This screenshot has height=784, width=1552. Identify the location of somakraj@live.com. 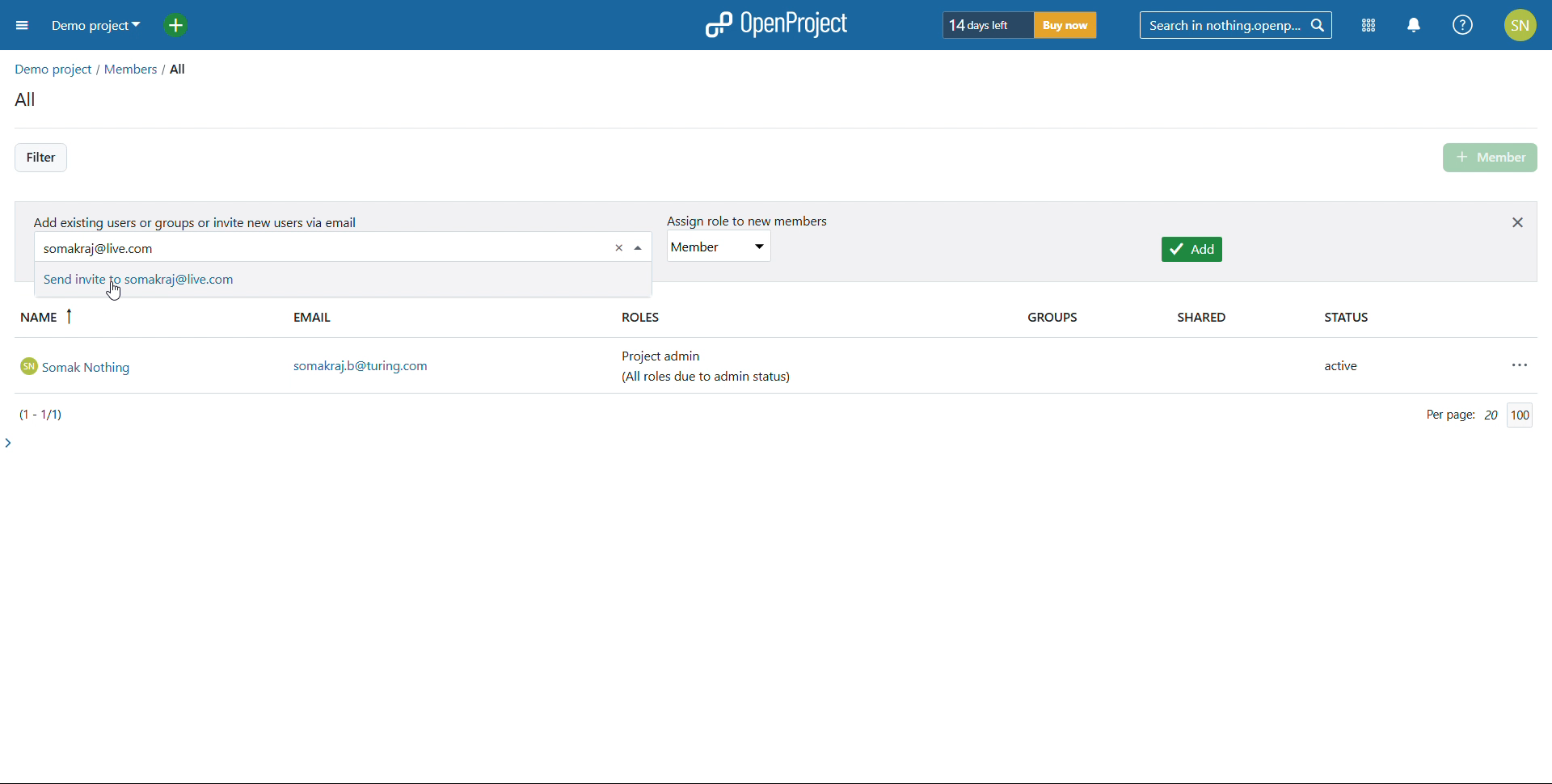
(307, 247).